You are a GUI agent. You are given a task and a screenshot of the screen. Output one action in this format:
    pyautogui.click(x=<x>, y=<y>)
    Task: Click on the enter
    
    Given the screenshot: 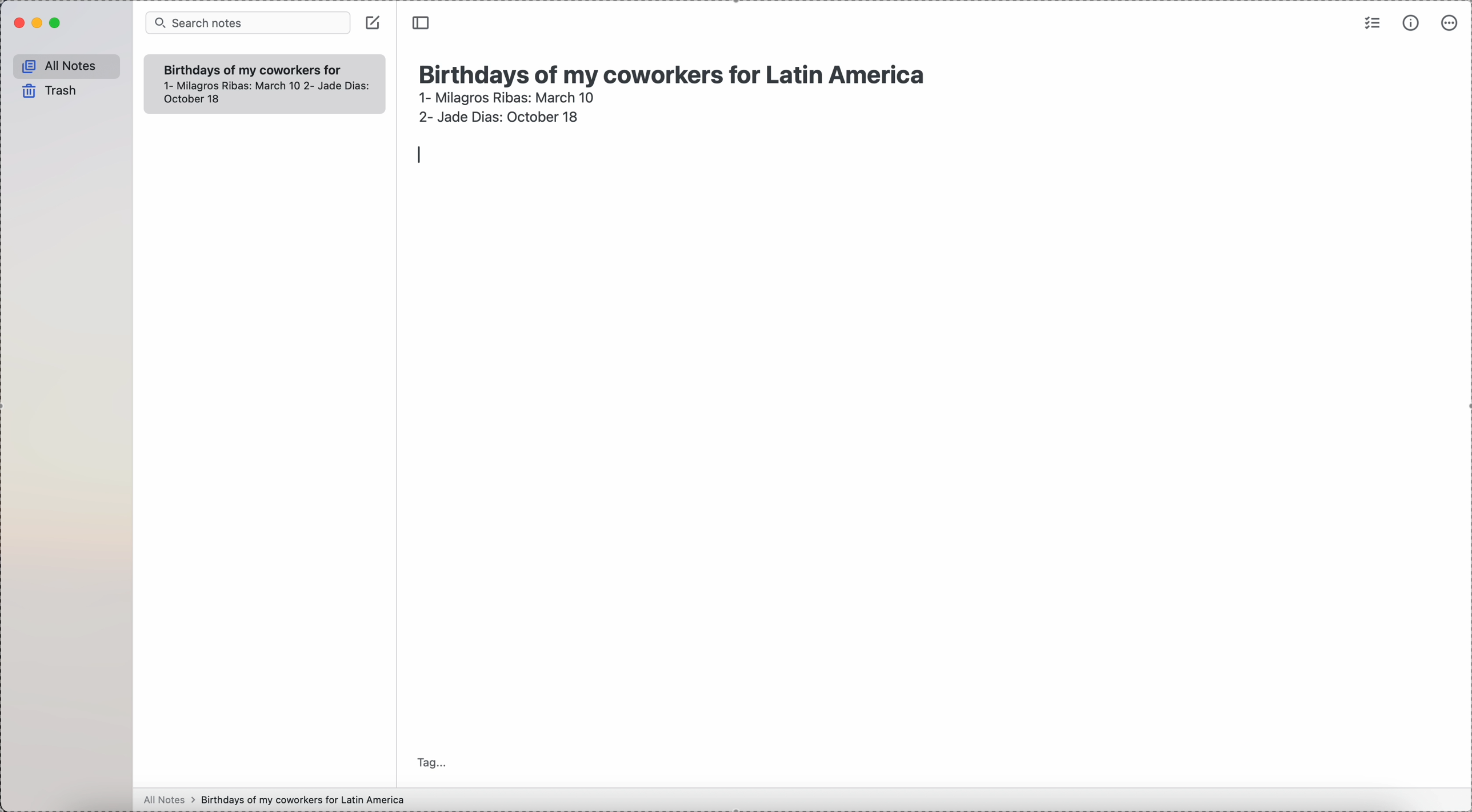 What is the action you would take?
    pyautogui.click(x=417, y=153)
    